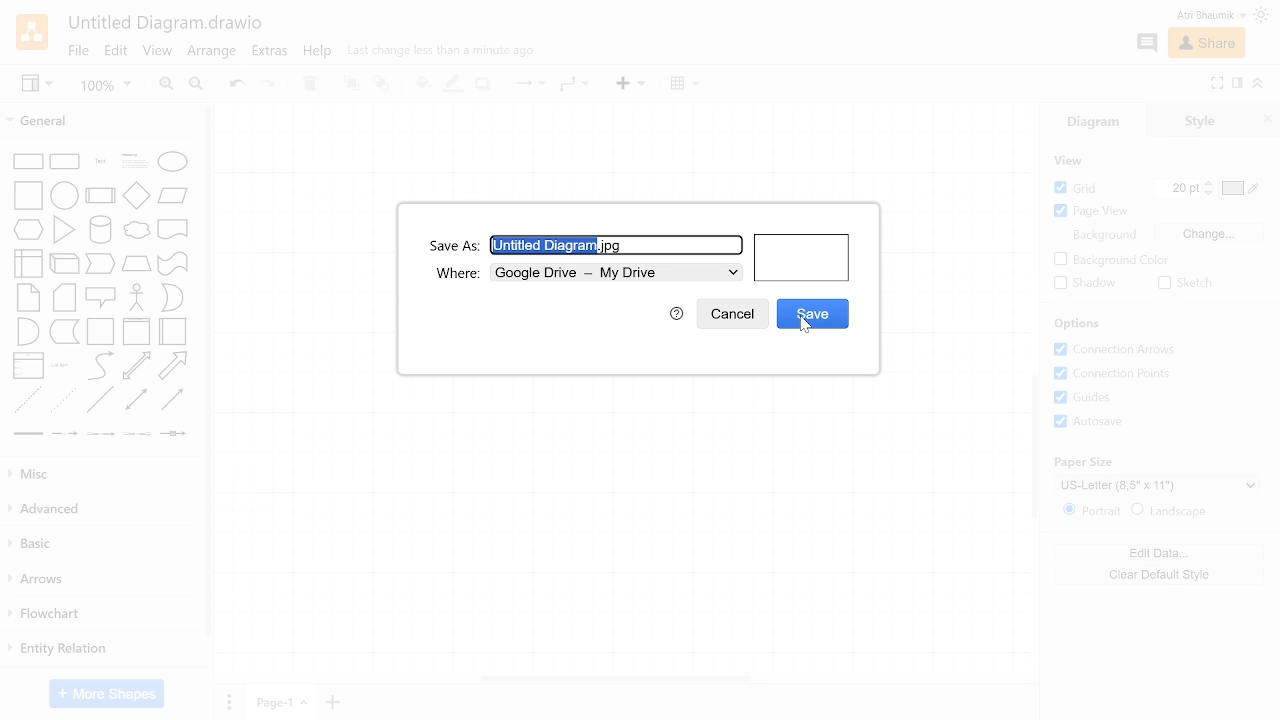  I want to click on Connection points, so click(1126, 374).